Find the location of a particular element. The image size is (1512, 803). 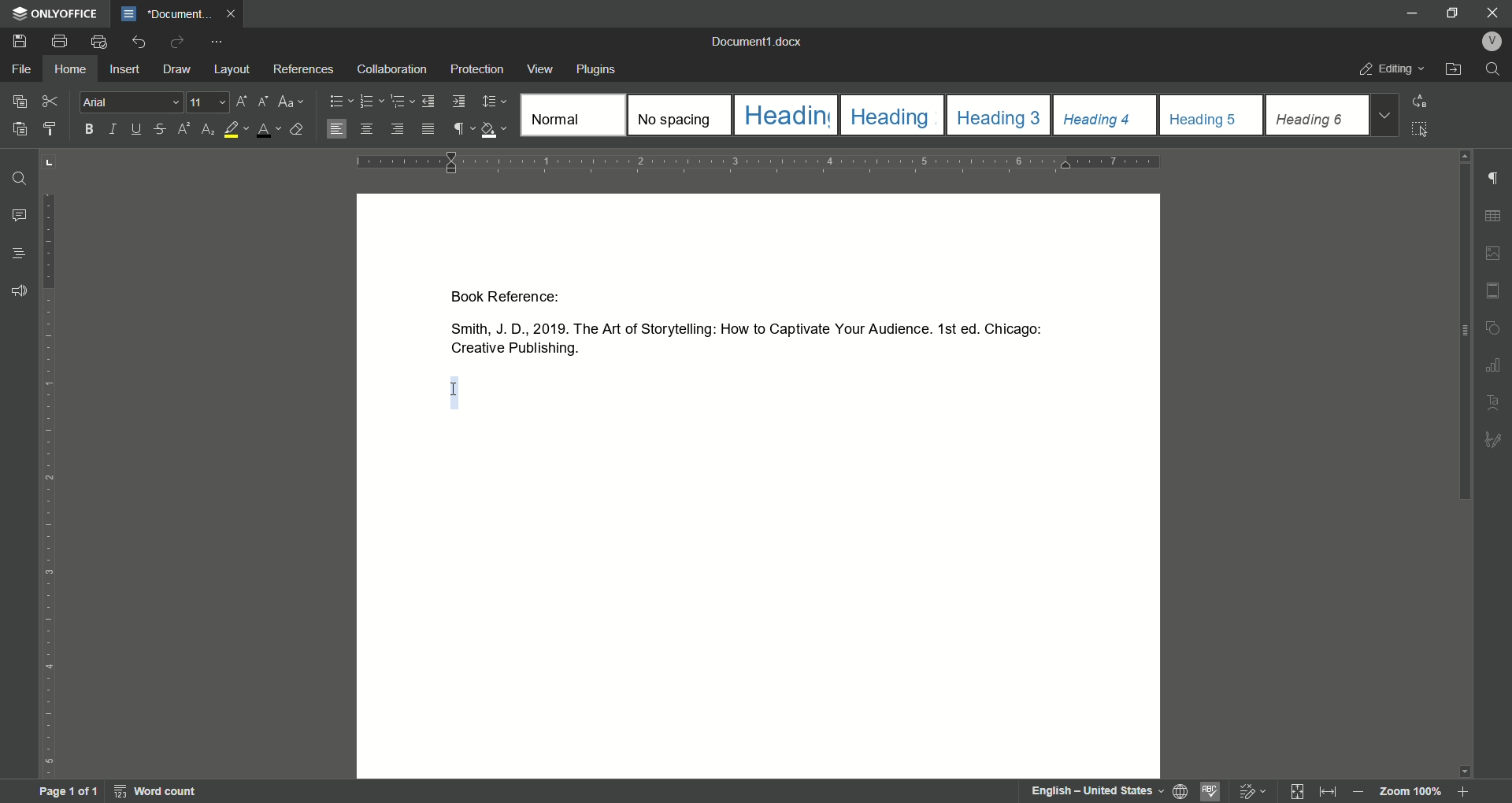

paragraph settings is located at coordinates (1494, 179).